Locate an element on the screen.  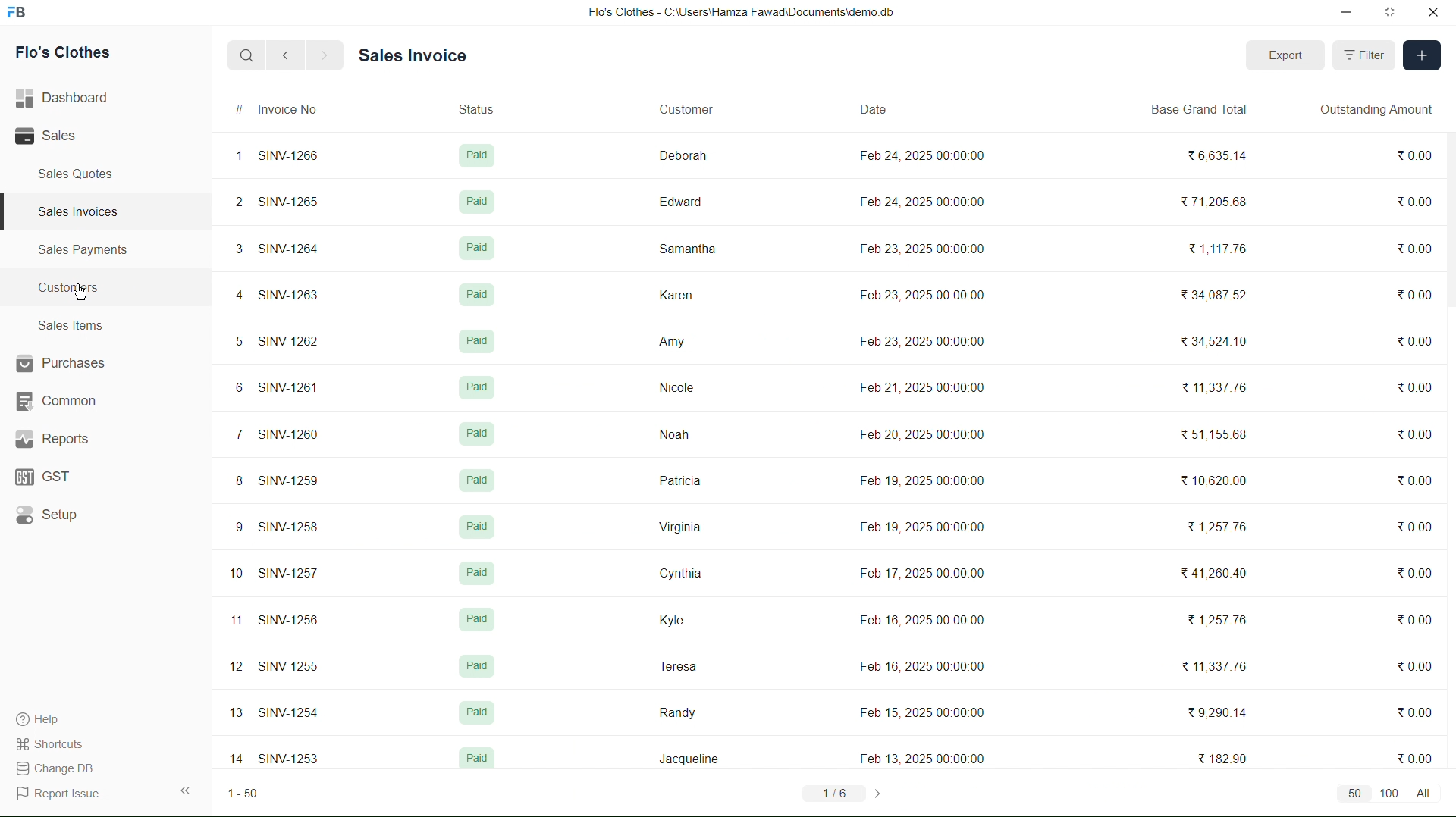
Paid is located at coordinates (477, 248).